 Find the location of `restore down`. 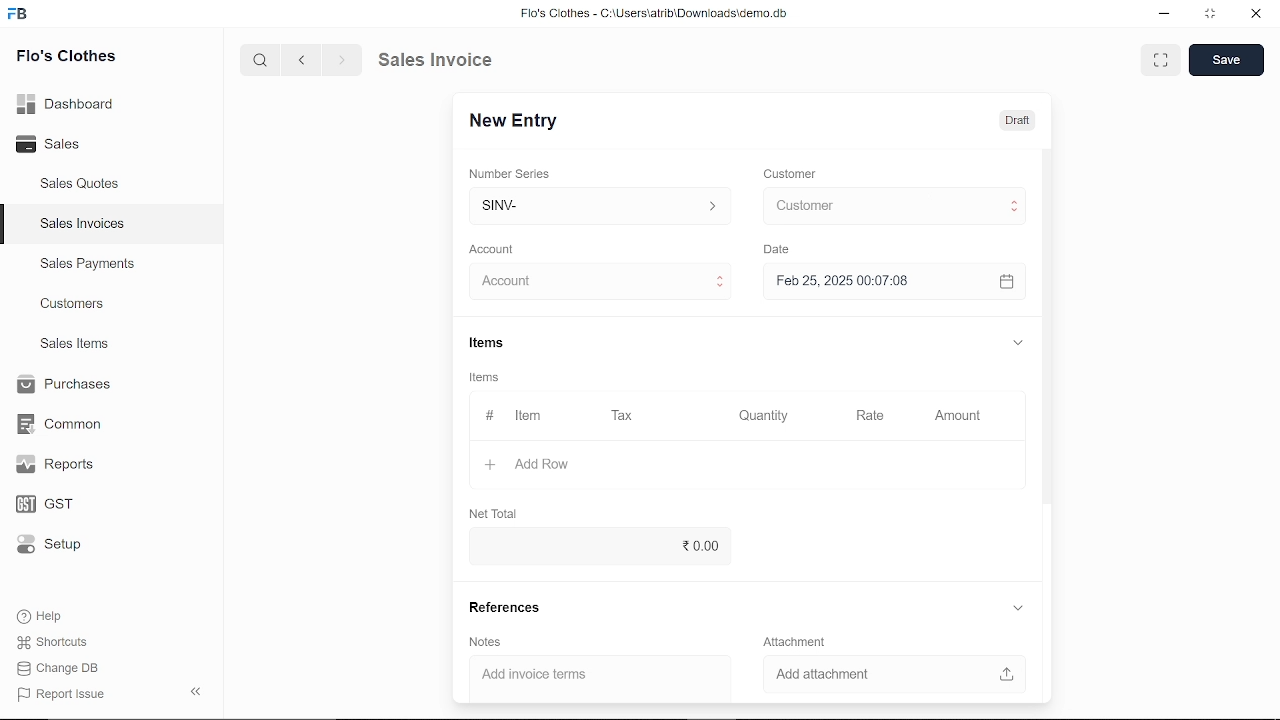

restore down is located at coordinates (1207, 15).